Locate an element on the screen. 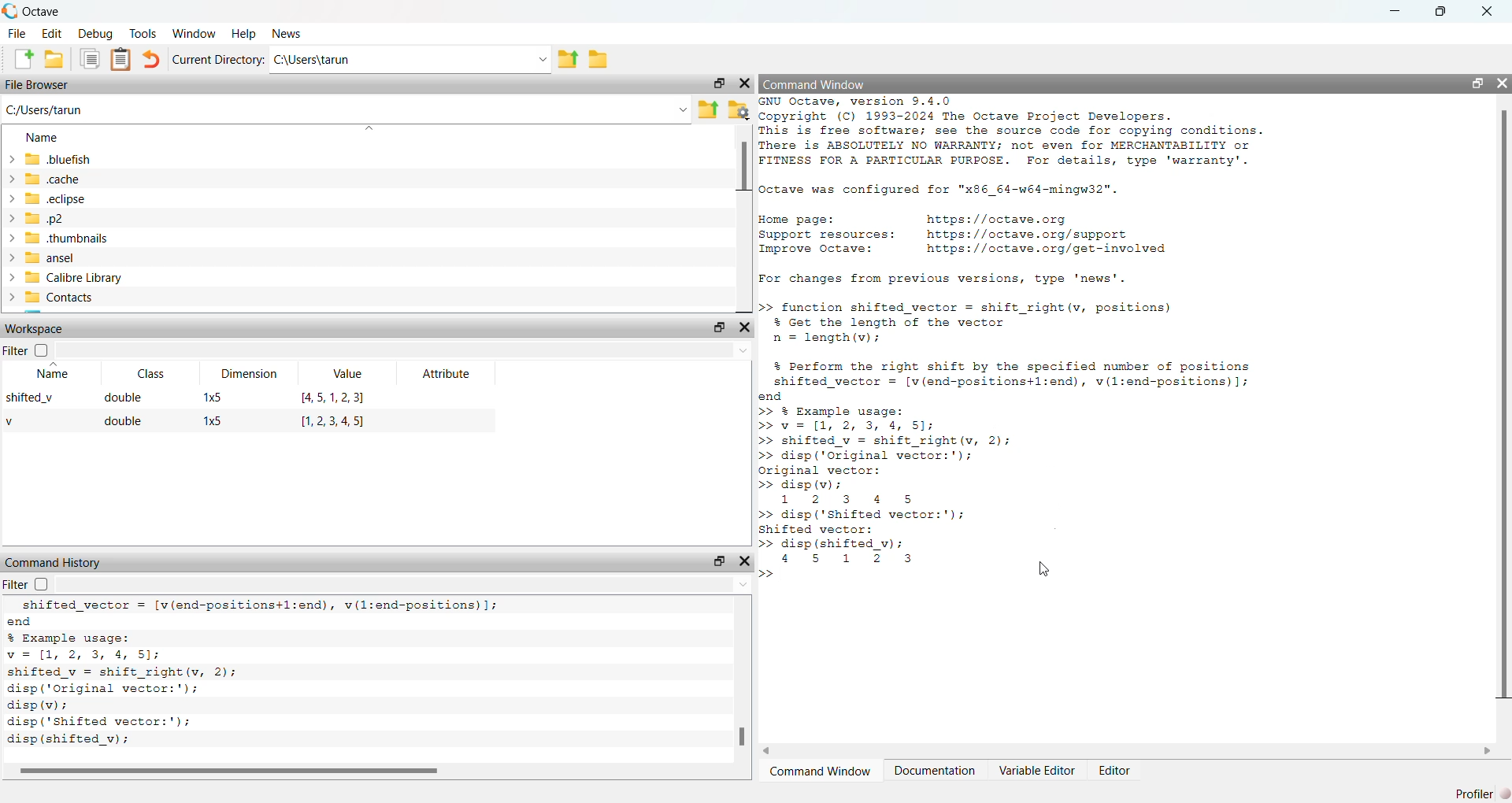 The width and height of the screenshot is (1512, 803). filter input field is located at coordinates (403, 348).